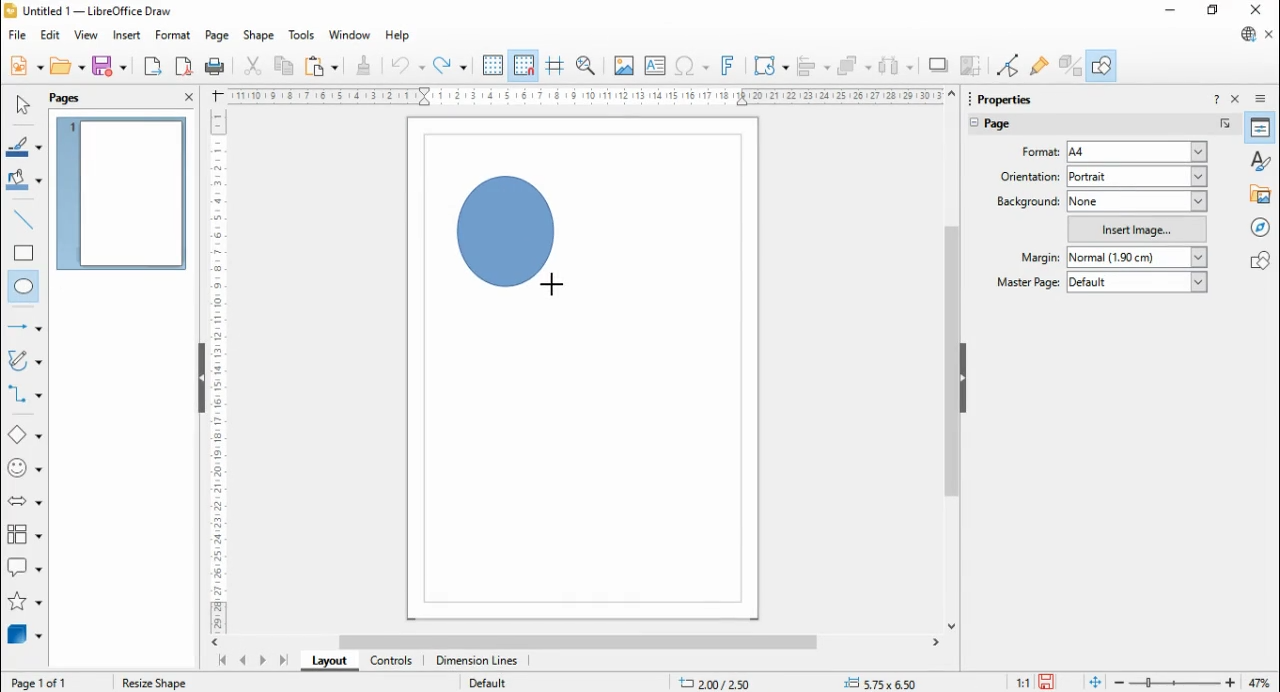  Describe the element at coordinates (728, 65) in the screenshot. I see `insert fontwork text` at that location.